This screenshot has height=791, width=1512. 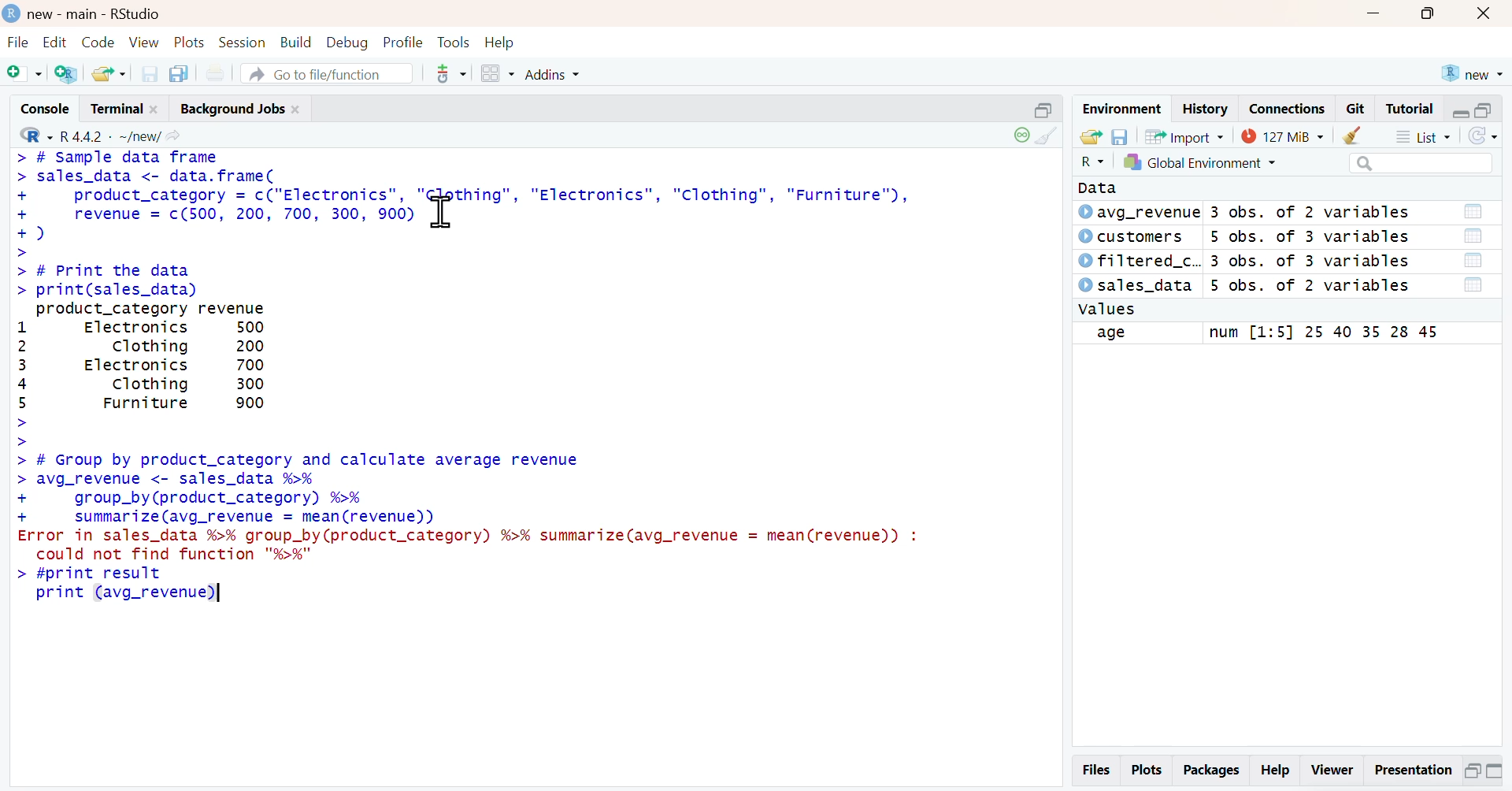 What do you see at coordinates (24, 73) in the screenshot?
I see `New File` at bounding box center [24, 73].